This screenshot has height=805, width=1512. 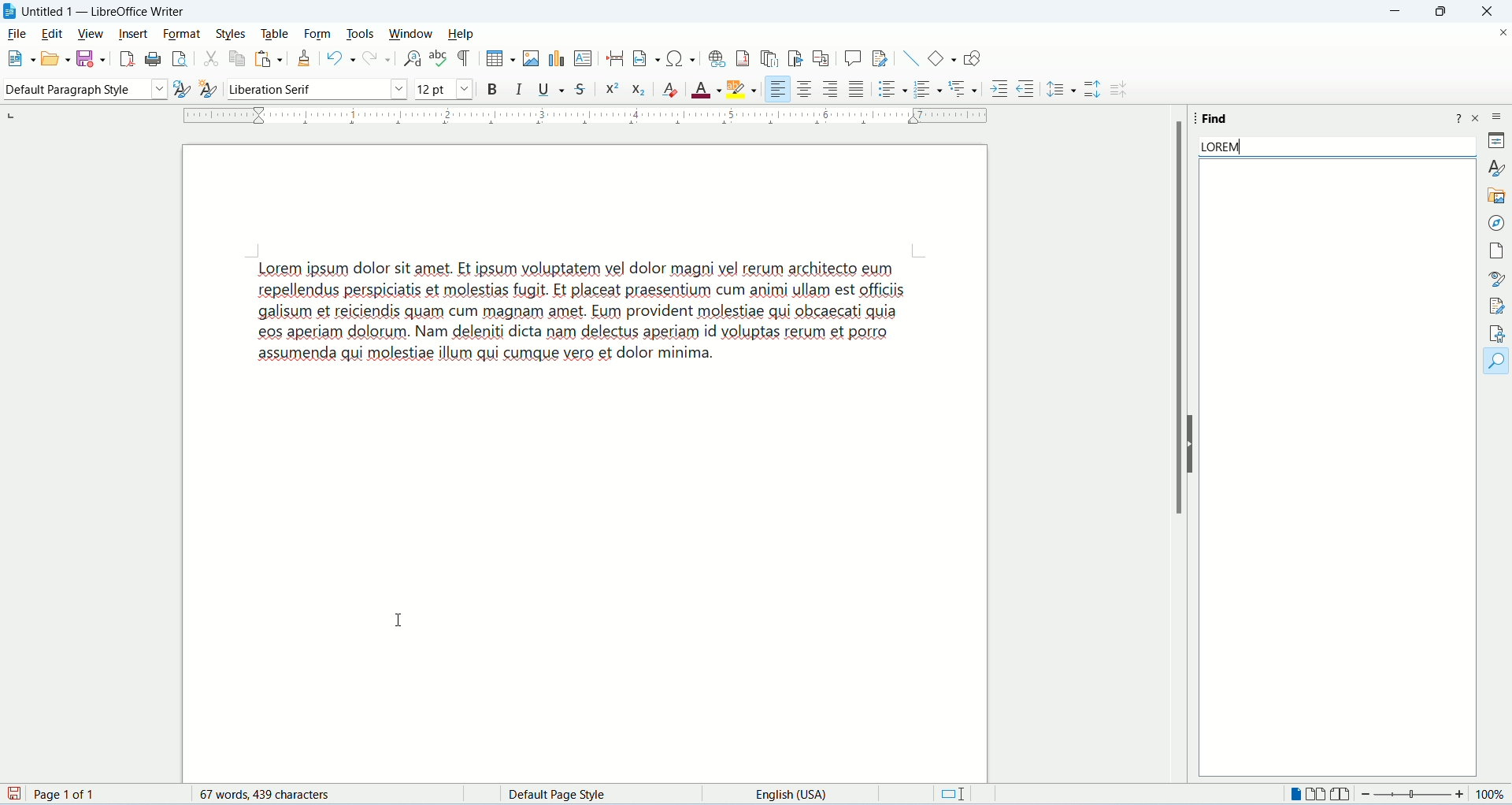 What do you see at coordinates (795, 60) in the screenshot?
I see `insert bookmark` at bounding box center [795, 60].